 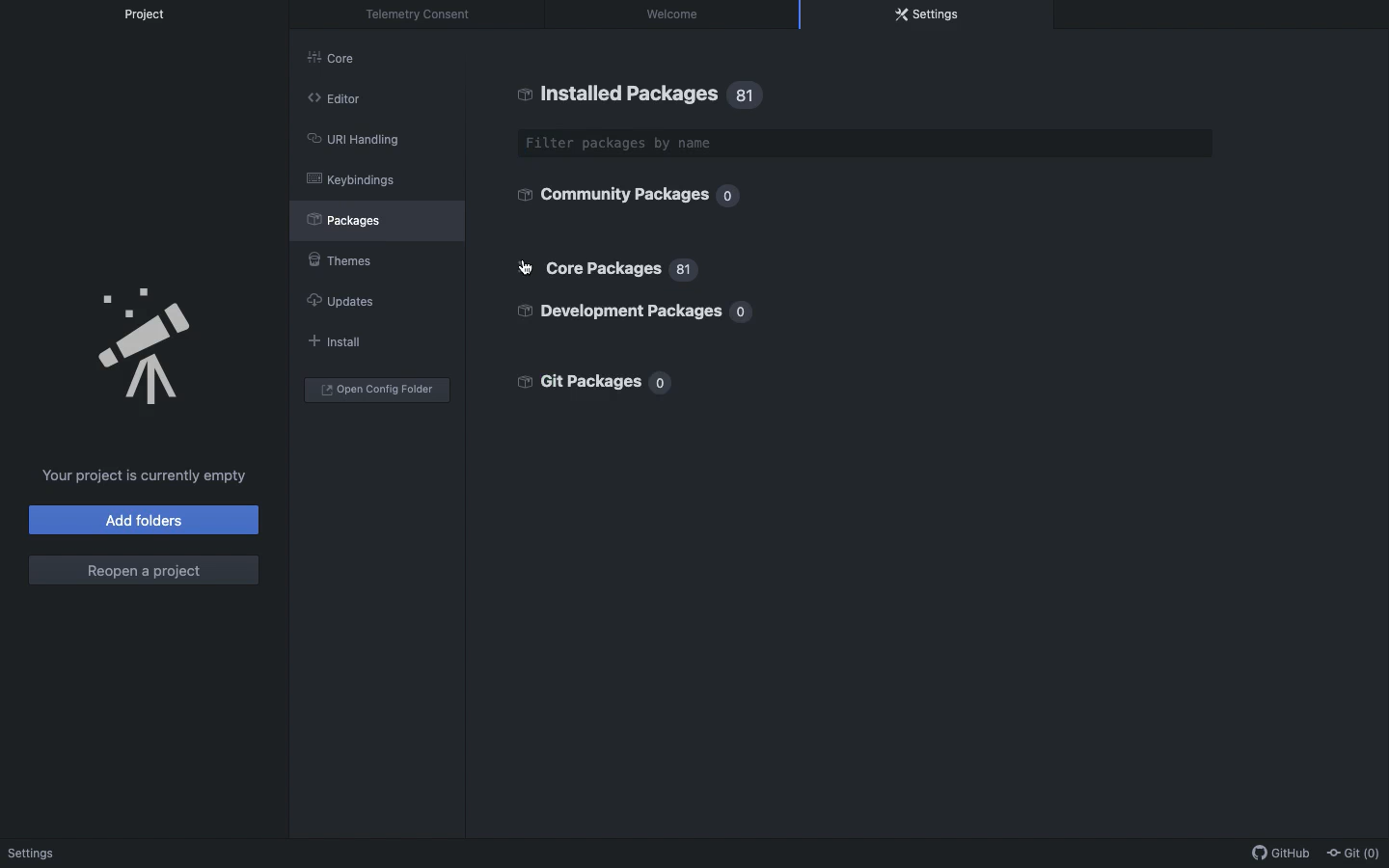 I want to click on Core packages, so click(x=601, y=268).